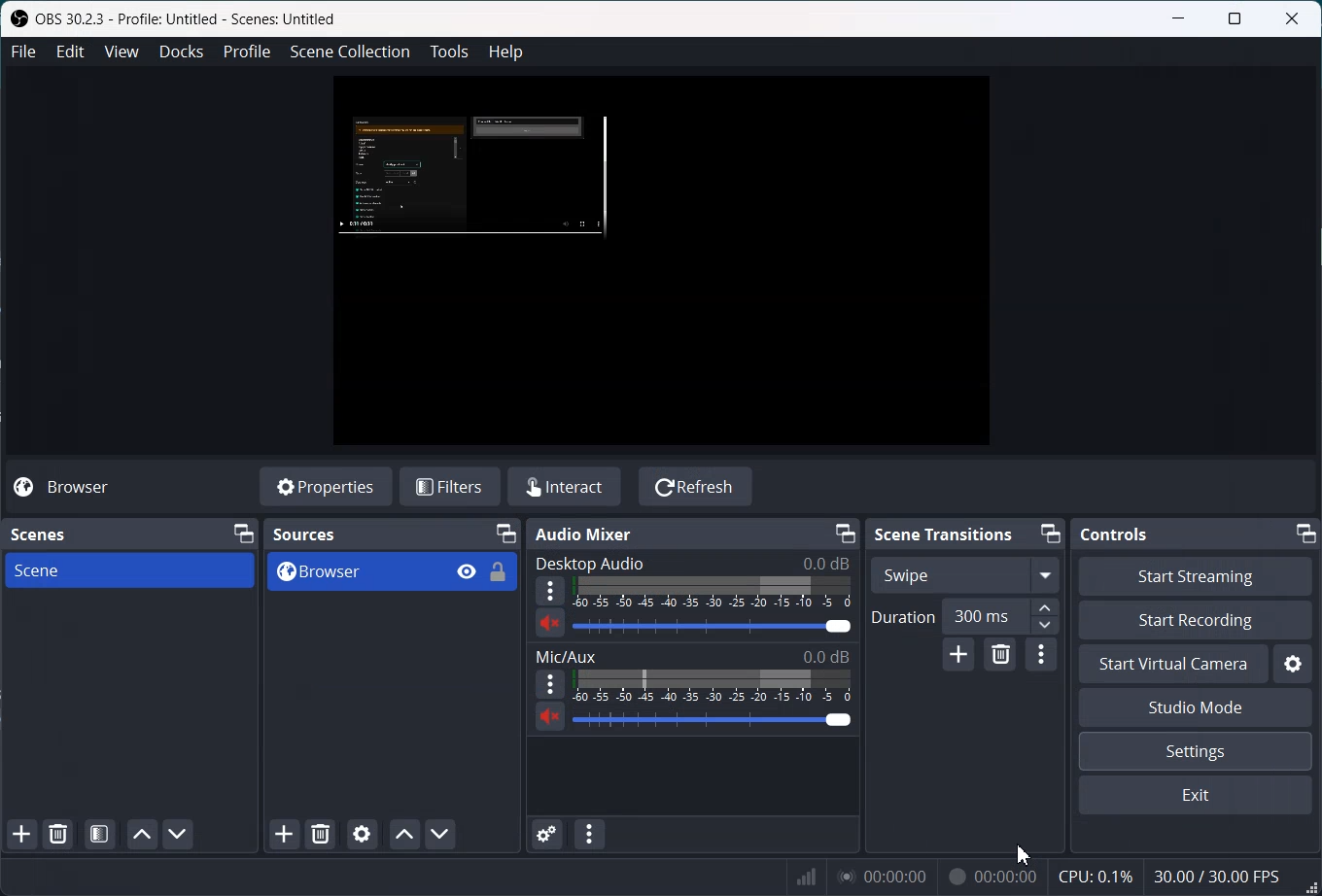 The width and height of the screenshot is (1322, 896). Describe the element at coordinates (1003, 618) in the screenshot. I see `300 ms` at that location.